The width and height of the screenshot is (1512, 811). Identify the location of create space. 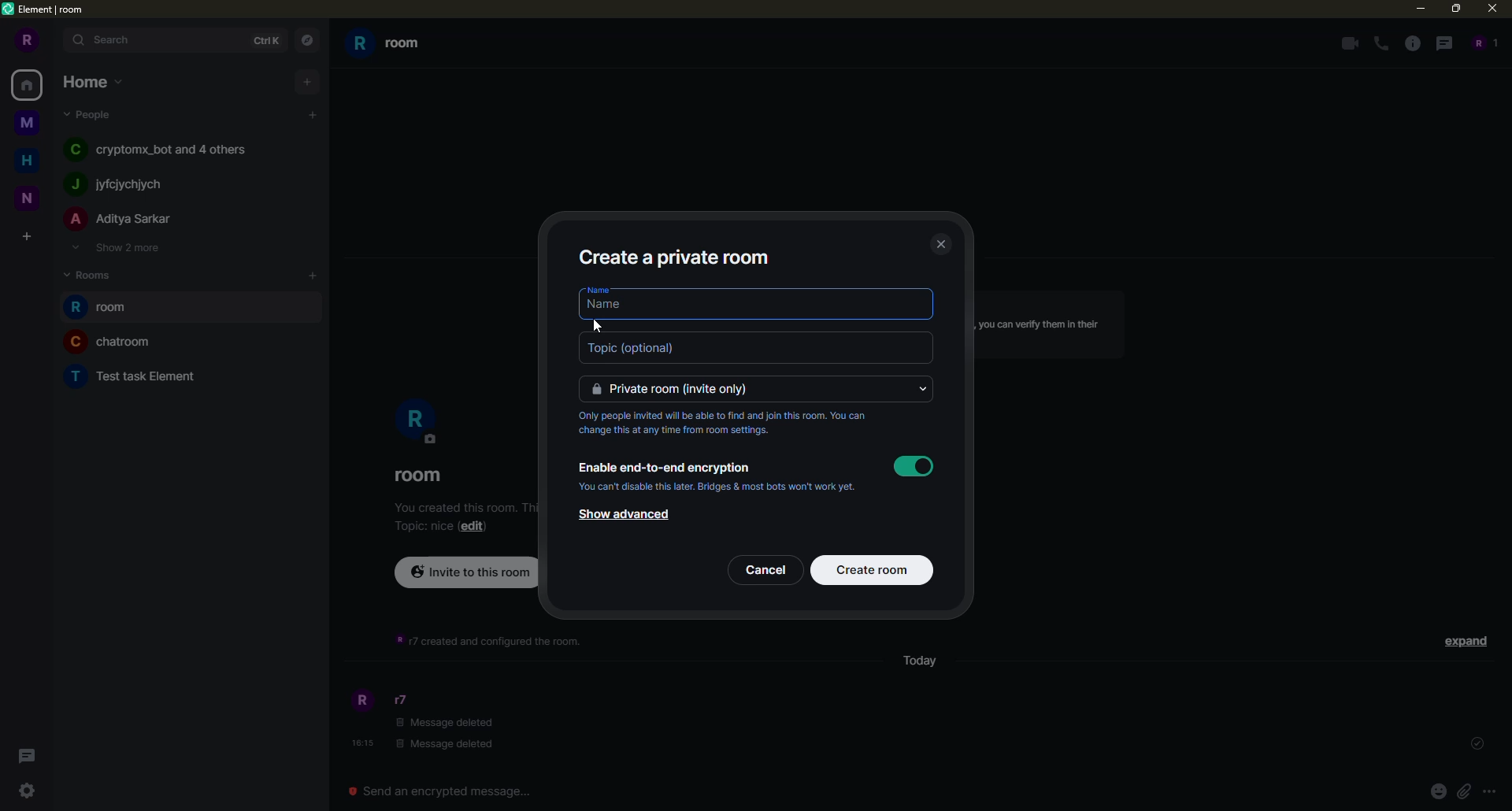
(25, 235).